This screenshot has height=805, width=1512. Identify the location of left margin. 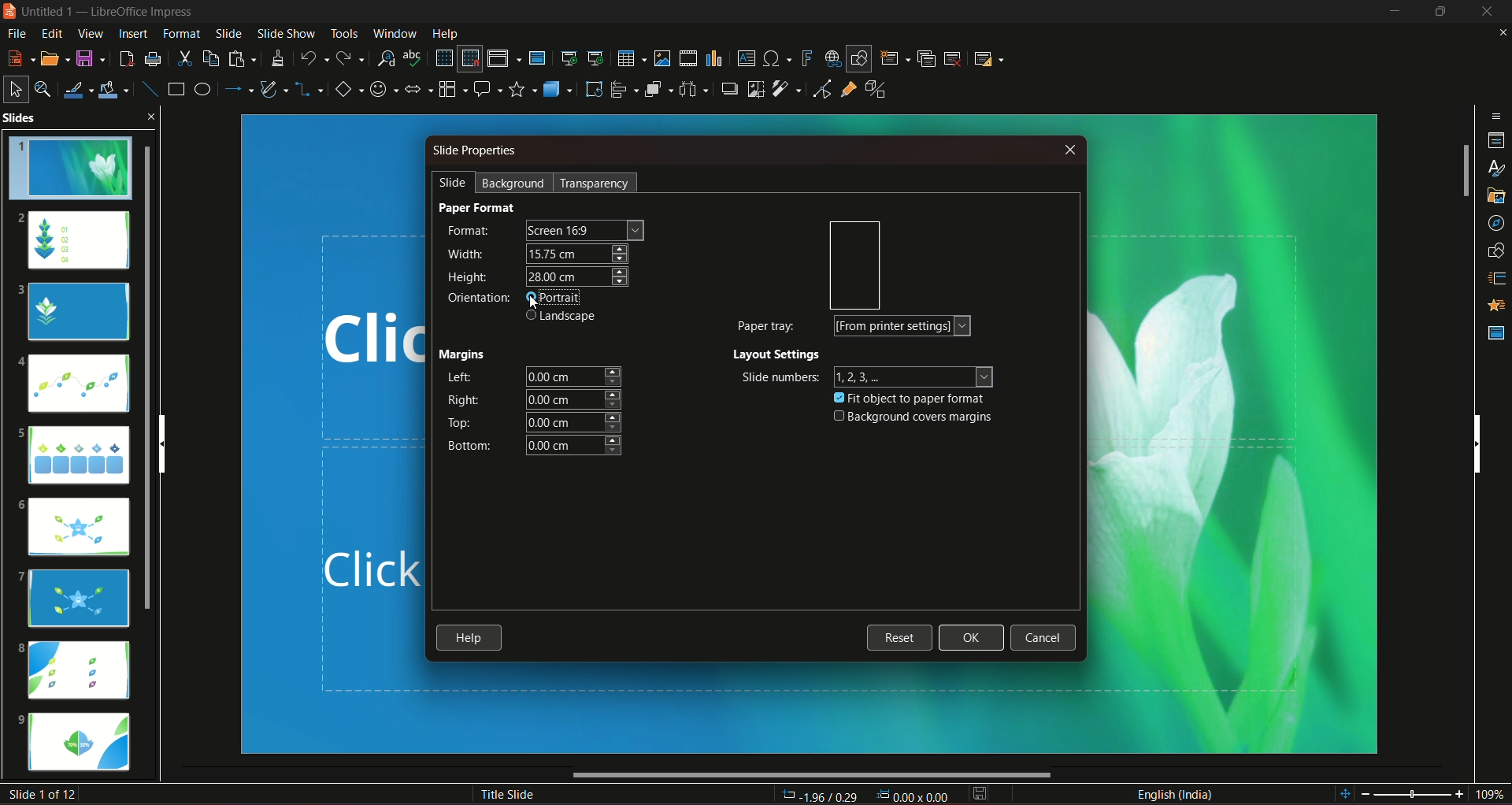
(574, 376).